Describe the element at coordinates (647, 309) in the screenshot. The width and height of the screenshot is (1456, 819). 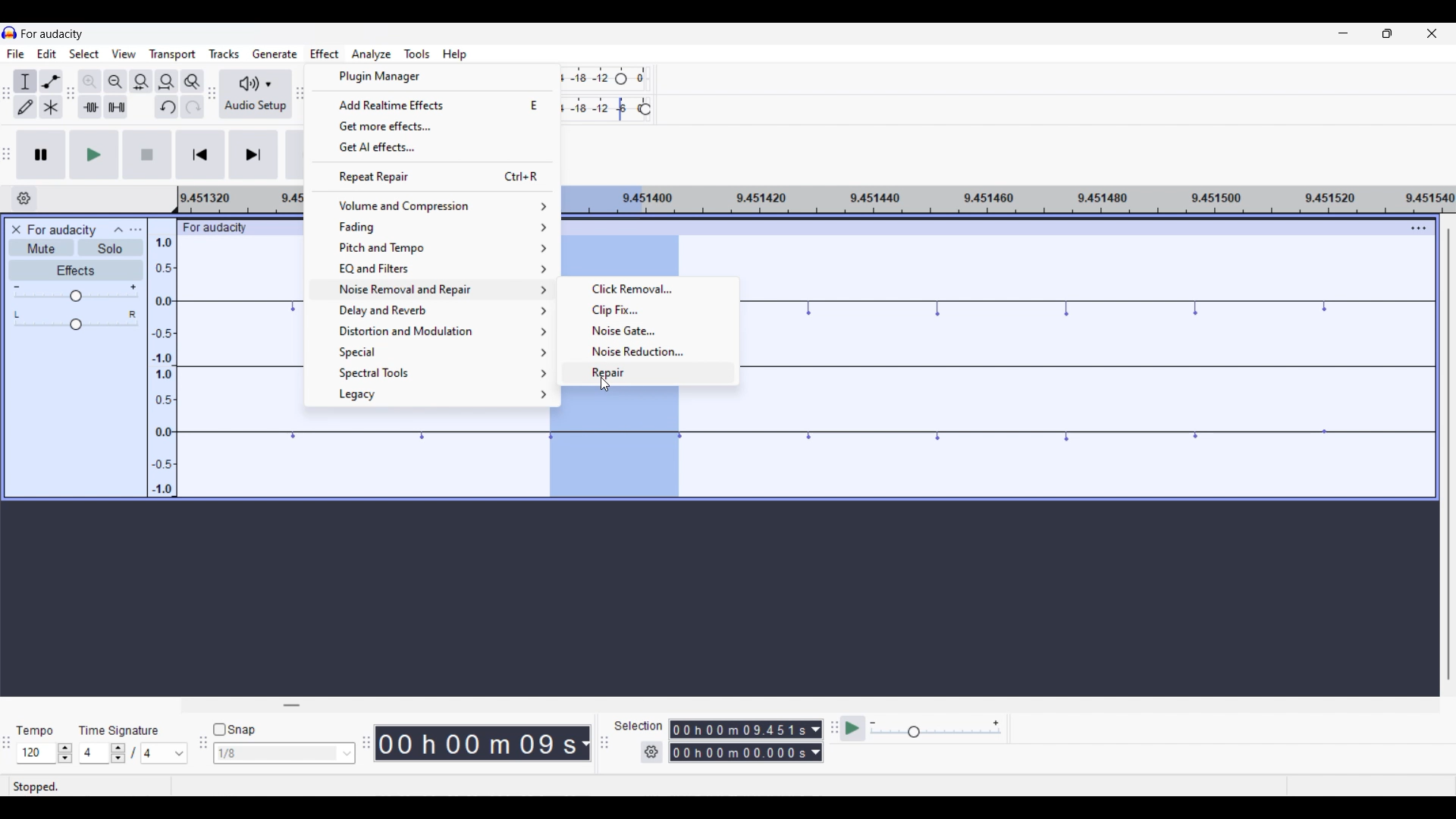
I see `Clip fix` at that location.